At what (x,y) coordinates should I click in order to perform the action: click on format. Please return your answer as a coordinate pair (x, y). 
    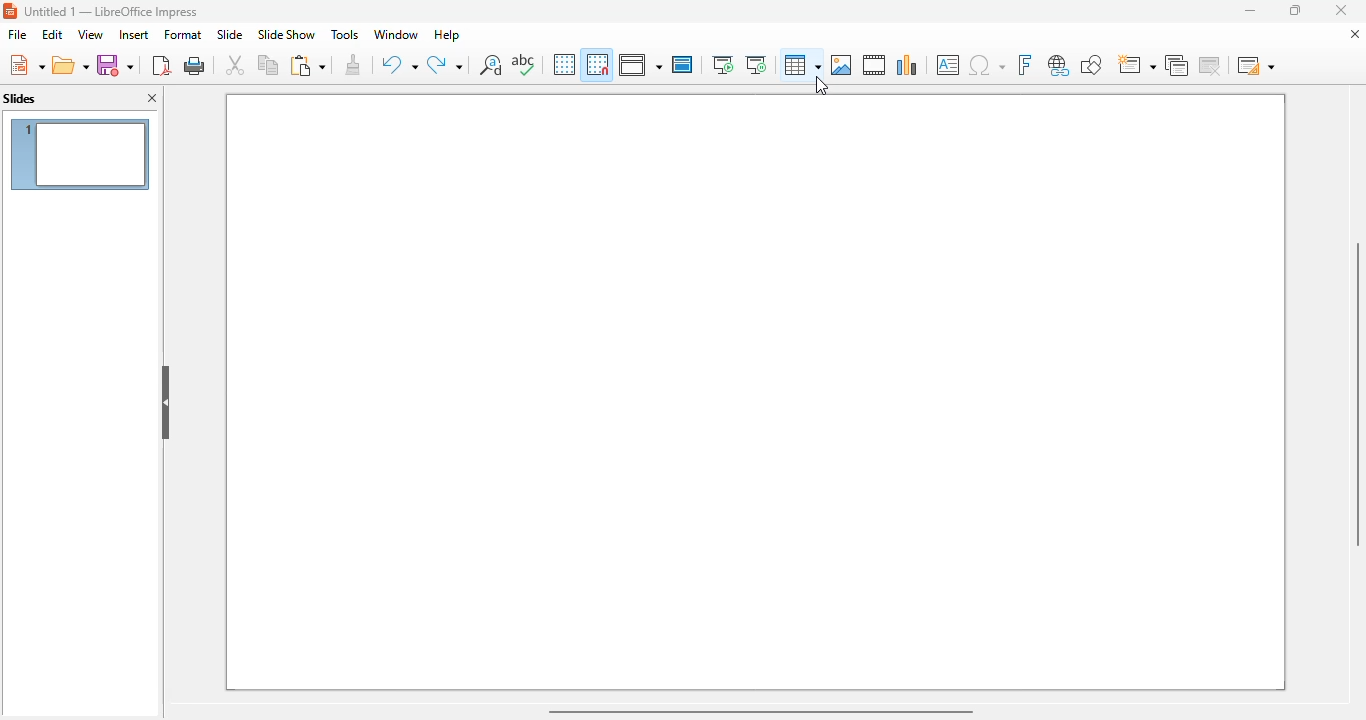
    Looking at the image, I should click on (183, 34).